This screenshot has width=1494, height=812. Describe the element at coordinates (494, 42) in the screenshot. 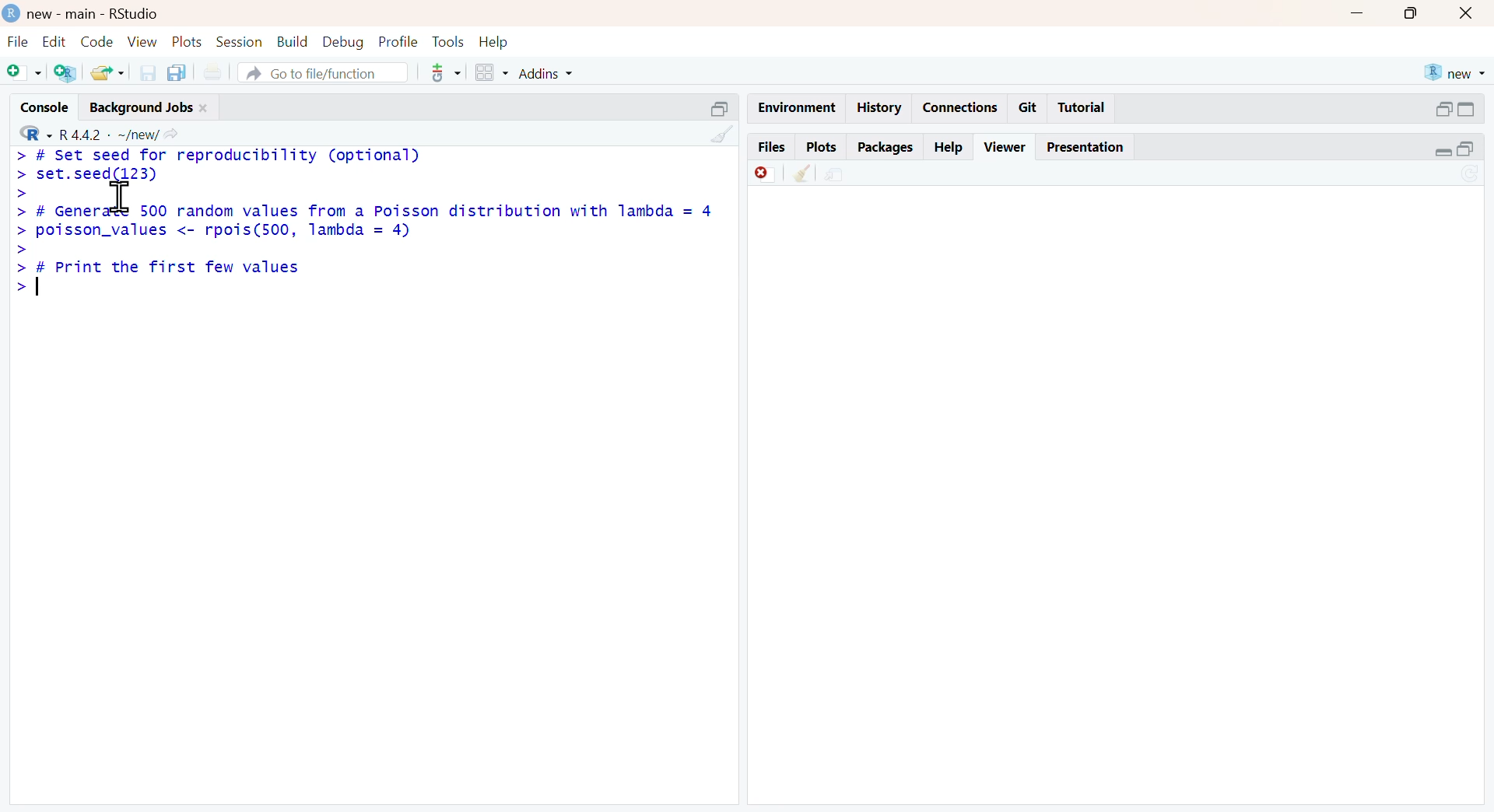

I see `help` at that location.